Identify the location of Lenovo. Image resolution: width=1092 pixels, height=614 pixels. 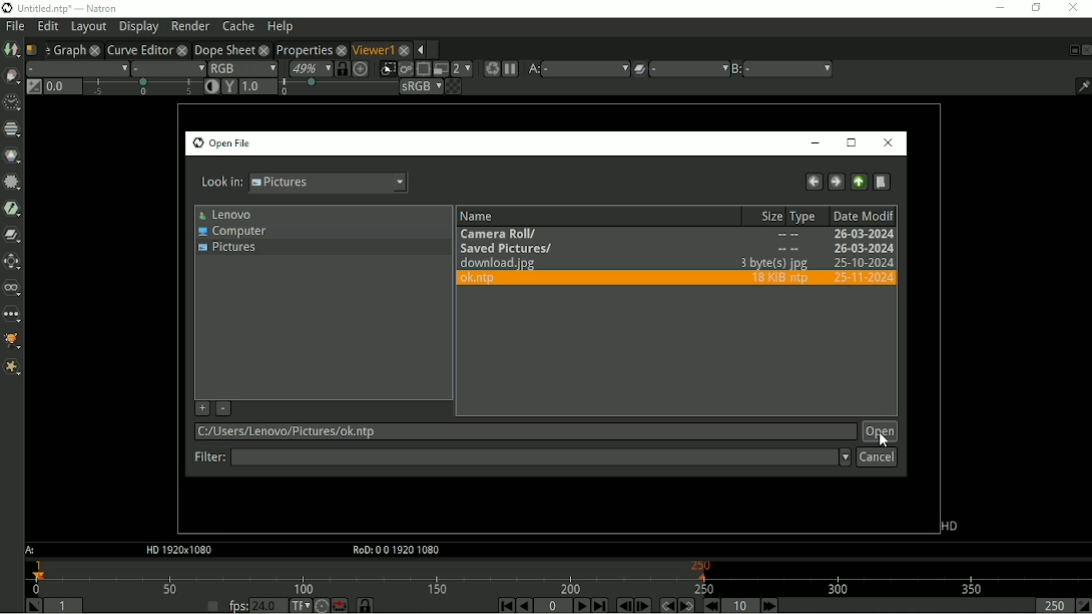
(224, 215).